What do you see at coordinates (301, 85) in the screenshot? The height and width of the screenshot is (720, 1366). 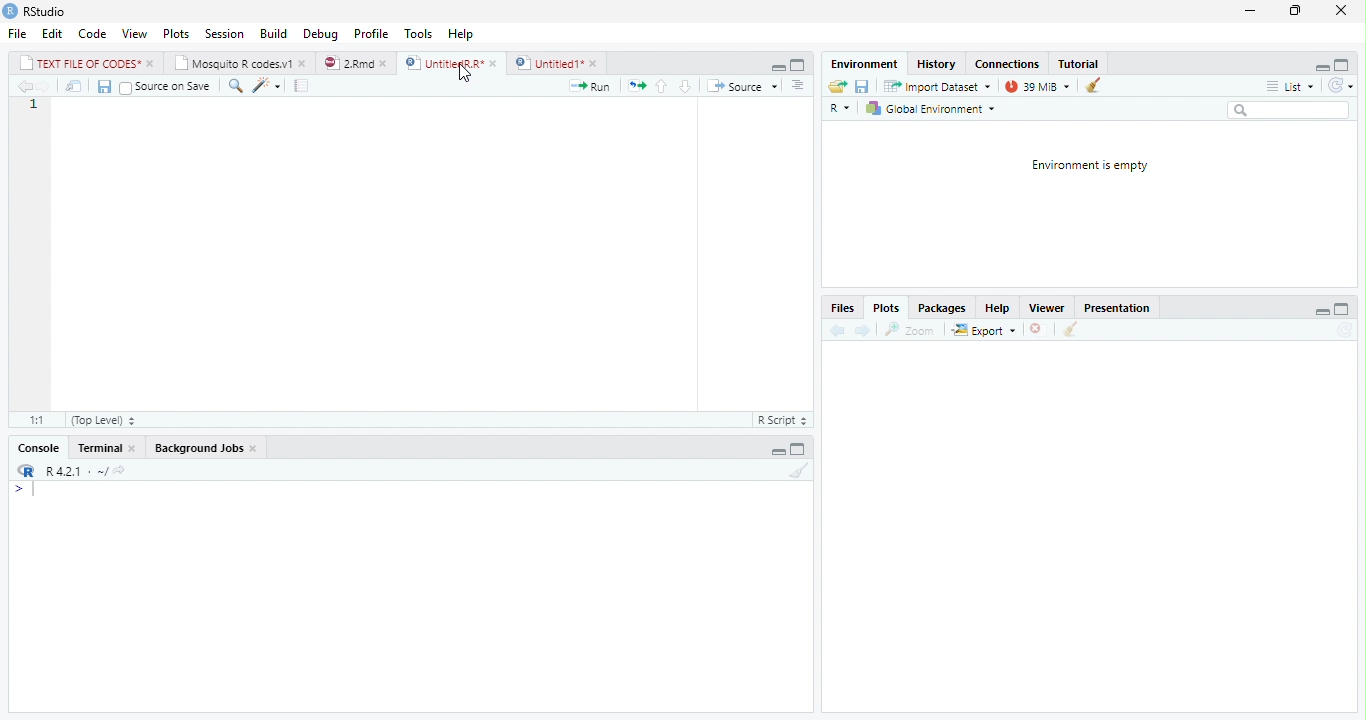 I see `Compile Report` at bounding box center [301, 85].